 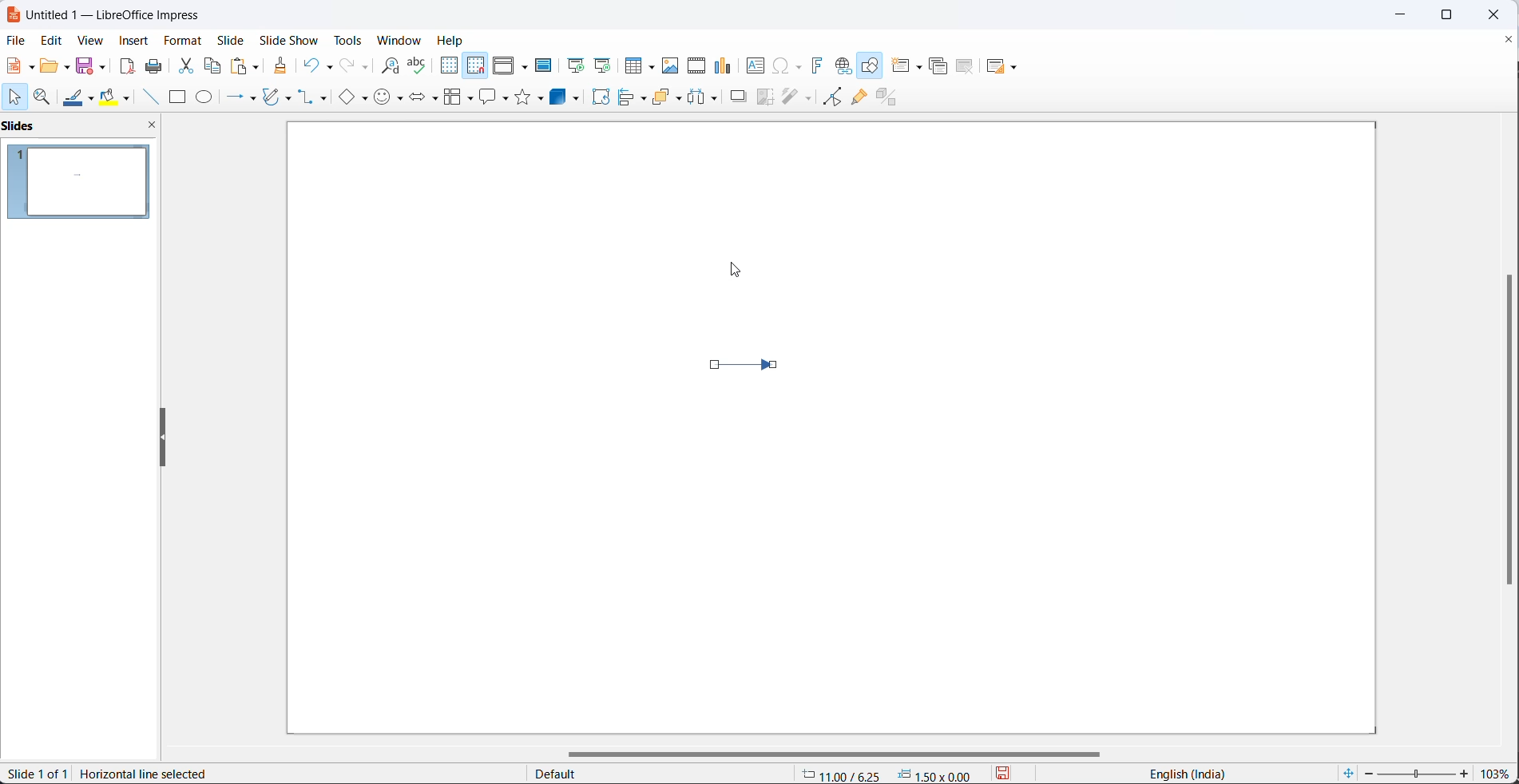 I want to click on paste options, so click(x=245, y=66).